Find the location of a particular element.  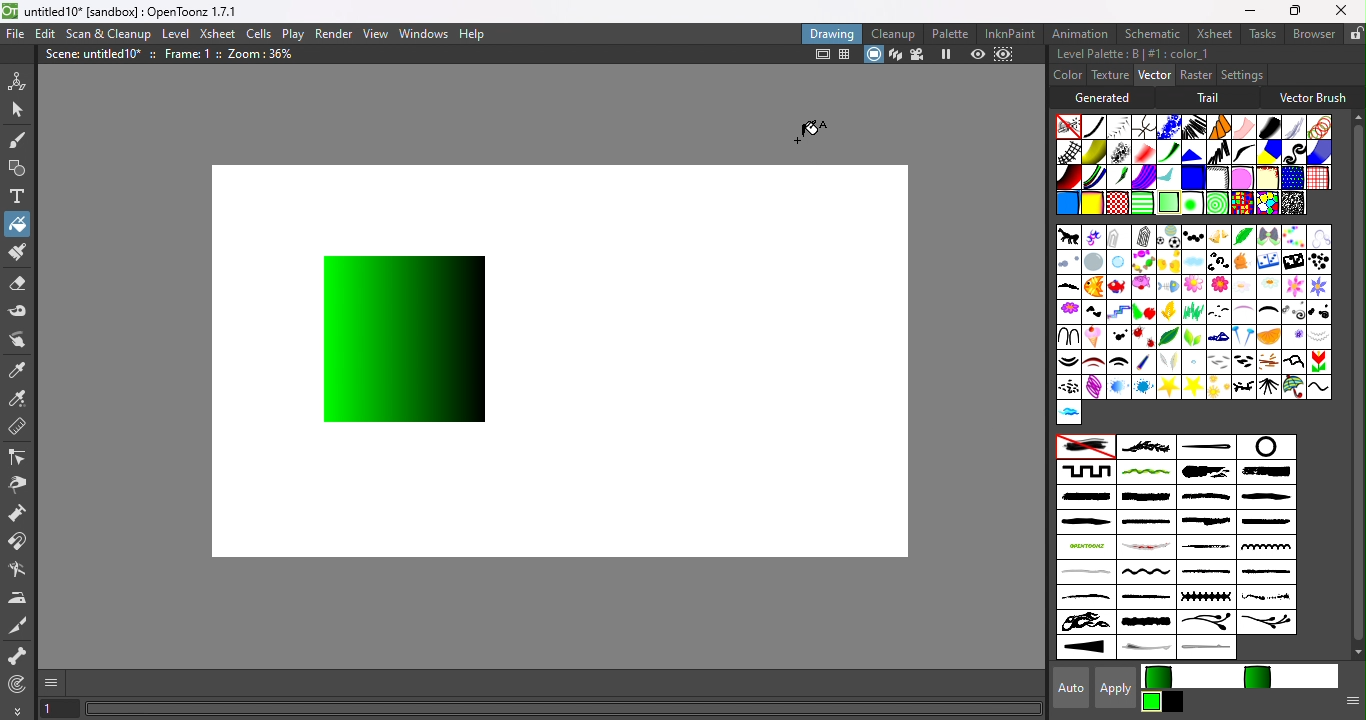

Bubb2 is located at coordinates (1119, 262).